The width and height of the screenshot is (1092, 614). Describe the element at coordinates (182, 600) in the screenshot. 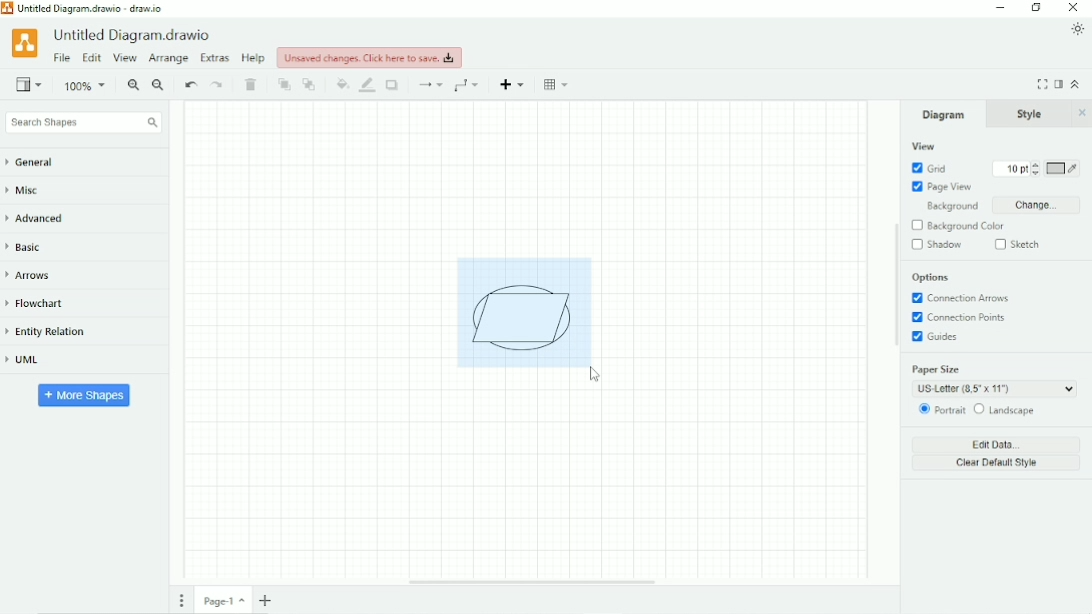

I see `Pages` at that location.